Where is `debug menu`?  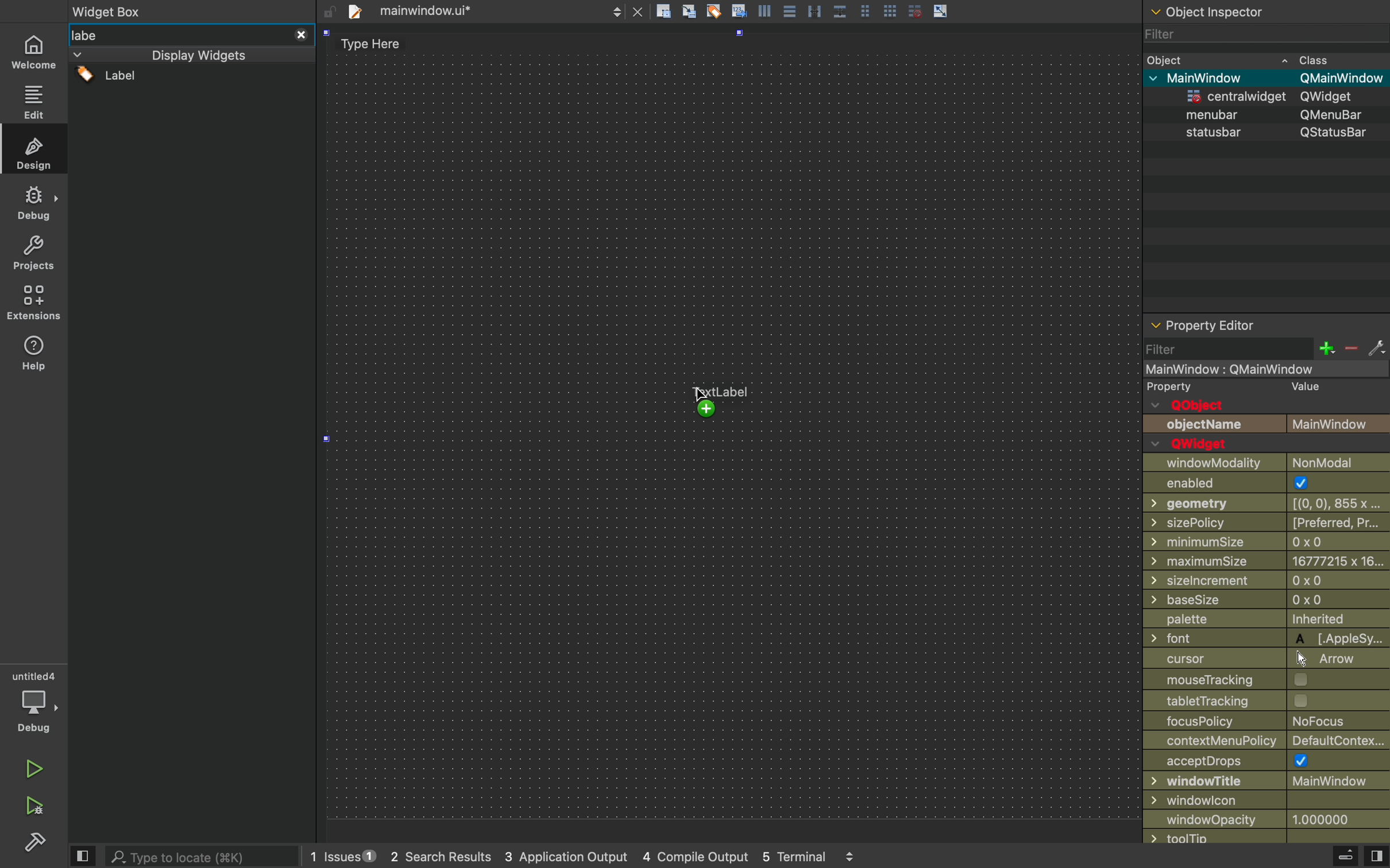 debug menu is located at coordinates (1332, 857).